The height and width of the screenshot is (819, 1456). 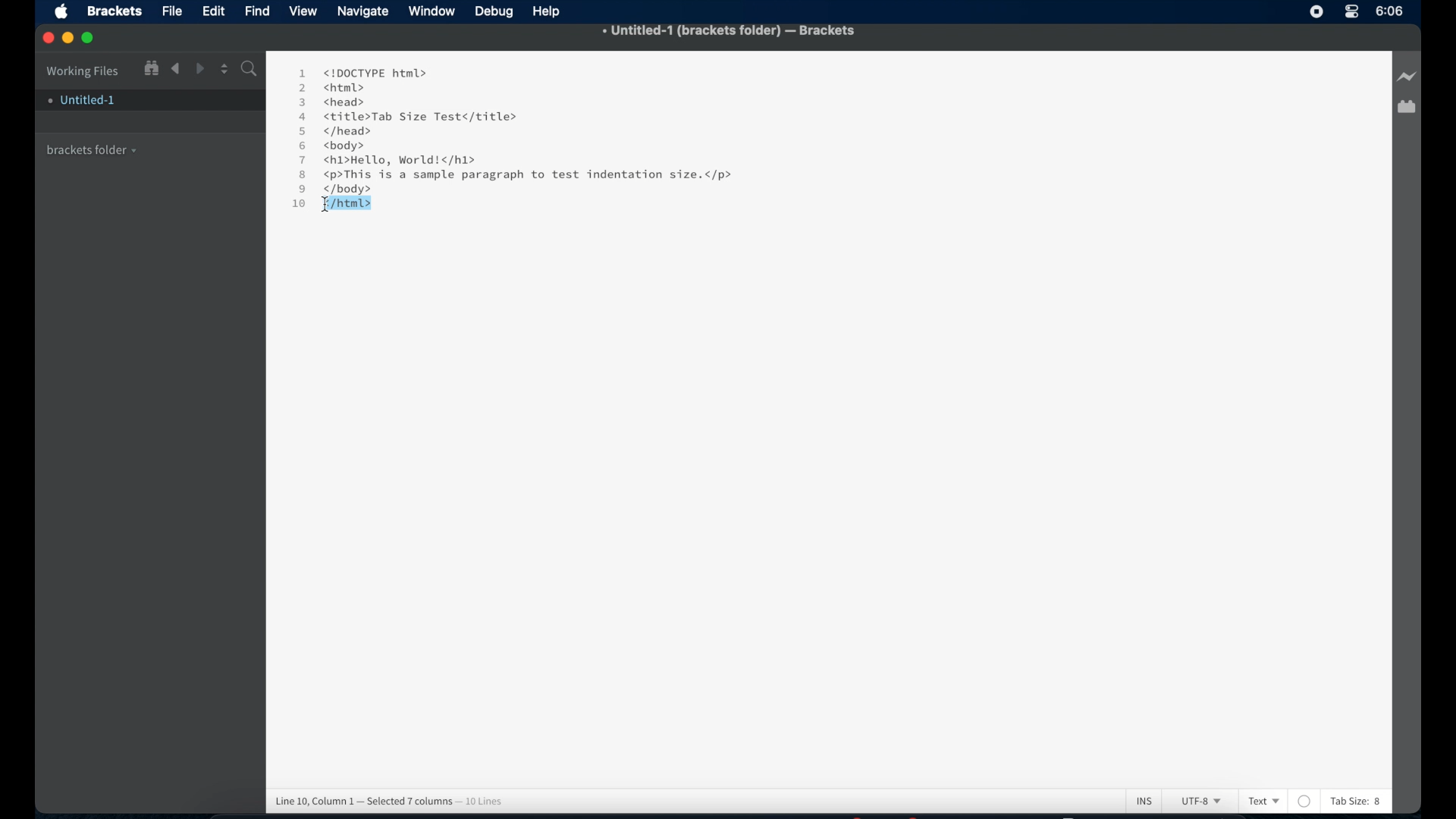 What do you see at coordinates (83, 69) in the screenshot?
I see `Working Files` at bounding box center [83, 69].